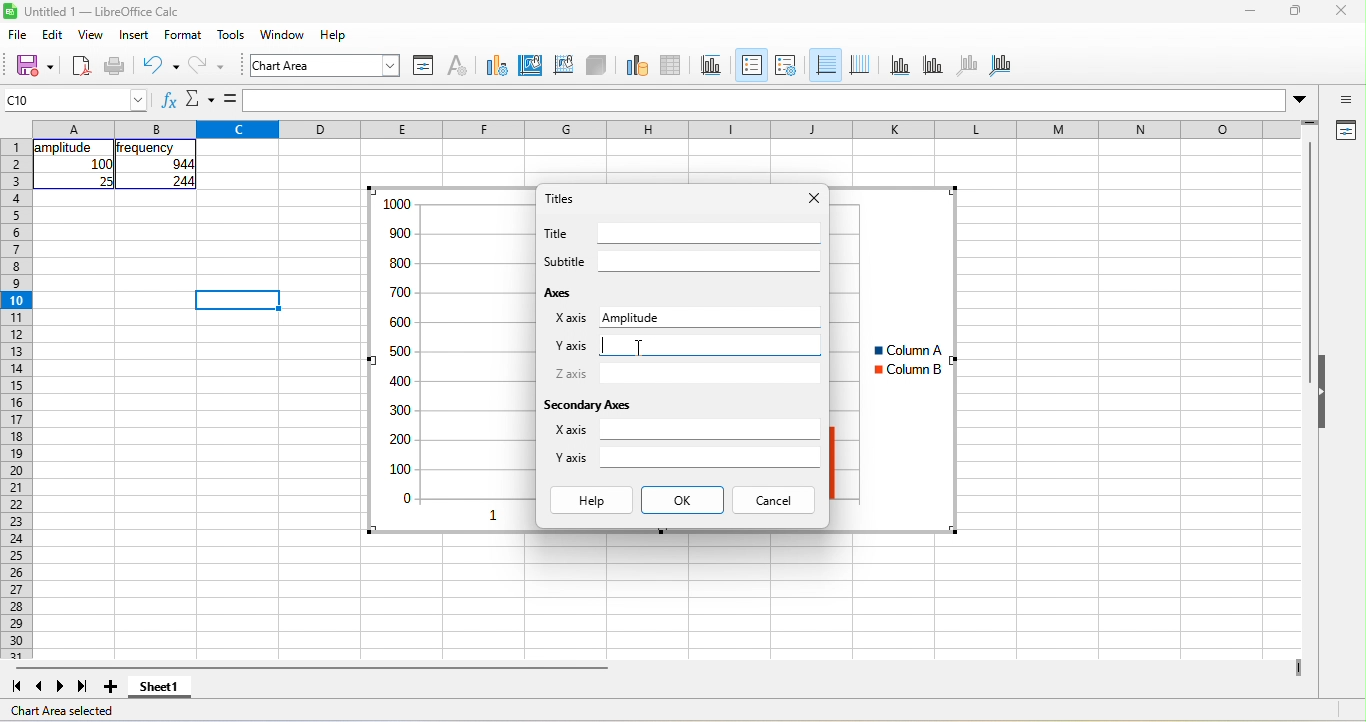 The width and height of the screenshot is (1366, 722). What do you see at coordinates (710, 261) in the screenshot?
I see `Input for subtitle` at bounding box center [710, 261].